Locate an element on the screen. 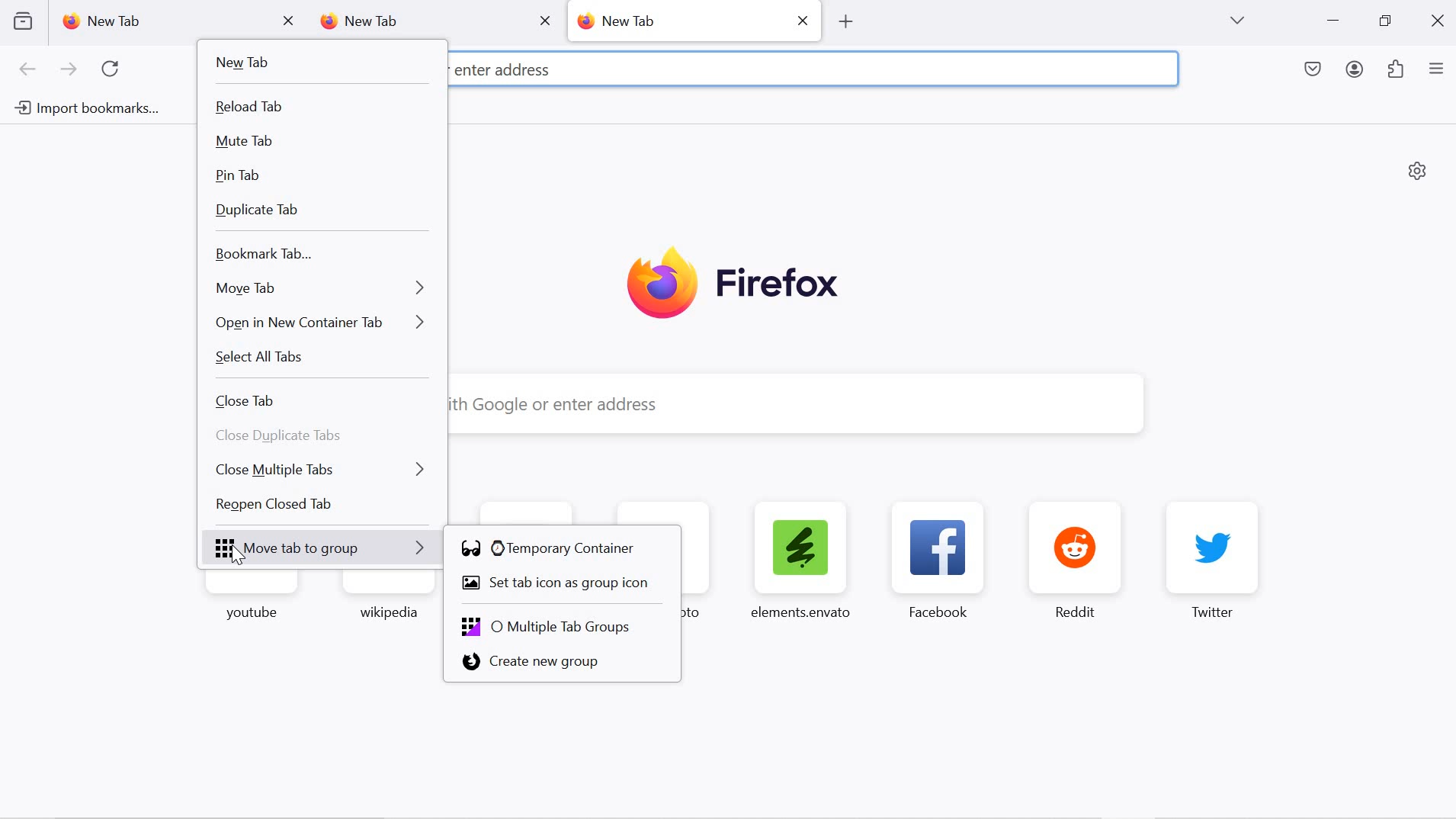 The image size is (1456, 819). save to pocket is located at coordinates (1314, 71).